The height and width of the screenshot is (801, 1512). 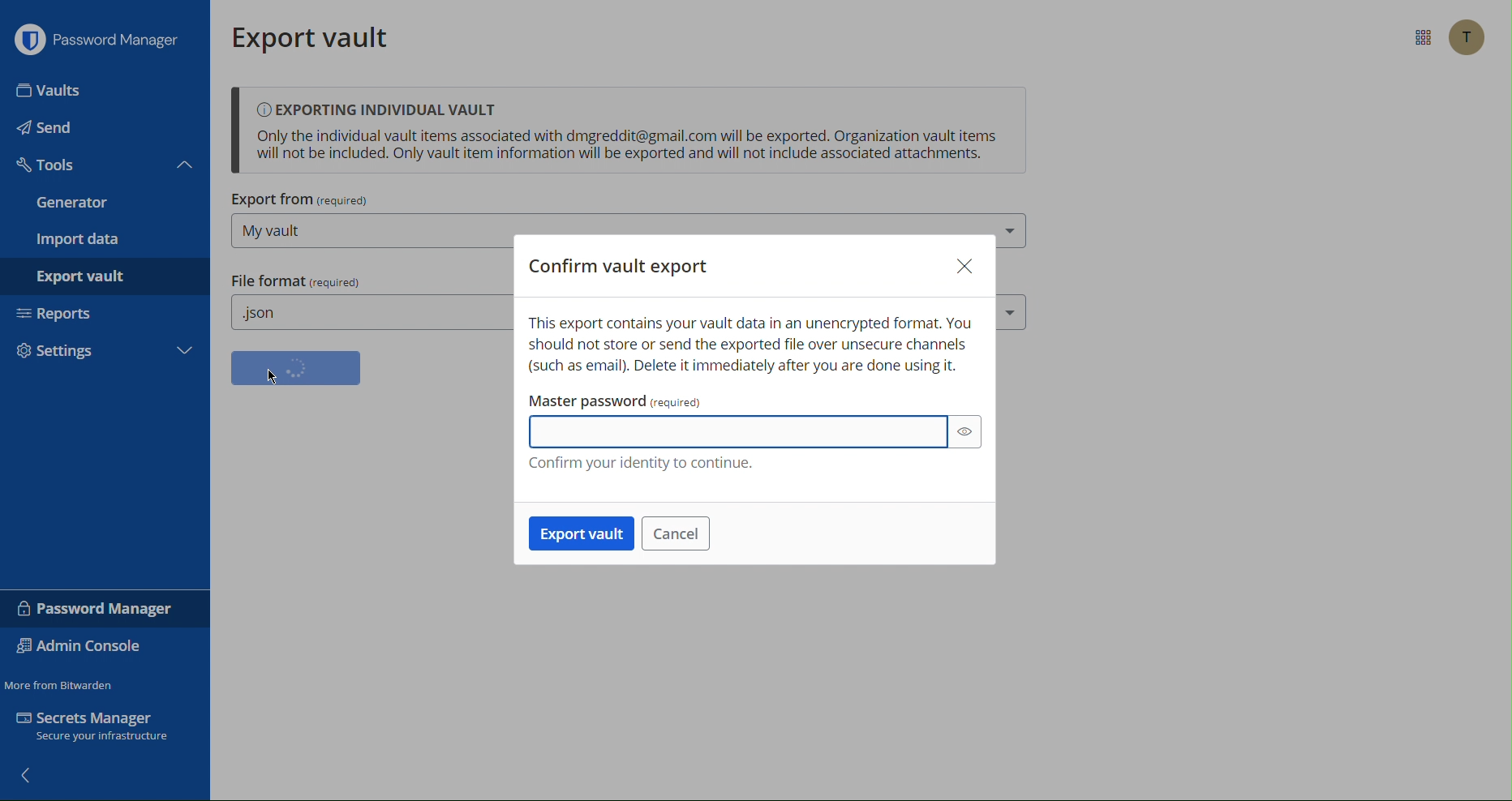 What do you see at coordinates (740, 433) in the screenshot?
I see `Enter password.` at bounding box center [740, 433].